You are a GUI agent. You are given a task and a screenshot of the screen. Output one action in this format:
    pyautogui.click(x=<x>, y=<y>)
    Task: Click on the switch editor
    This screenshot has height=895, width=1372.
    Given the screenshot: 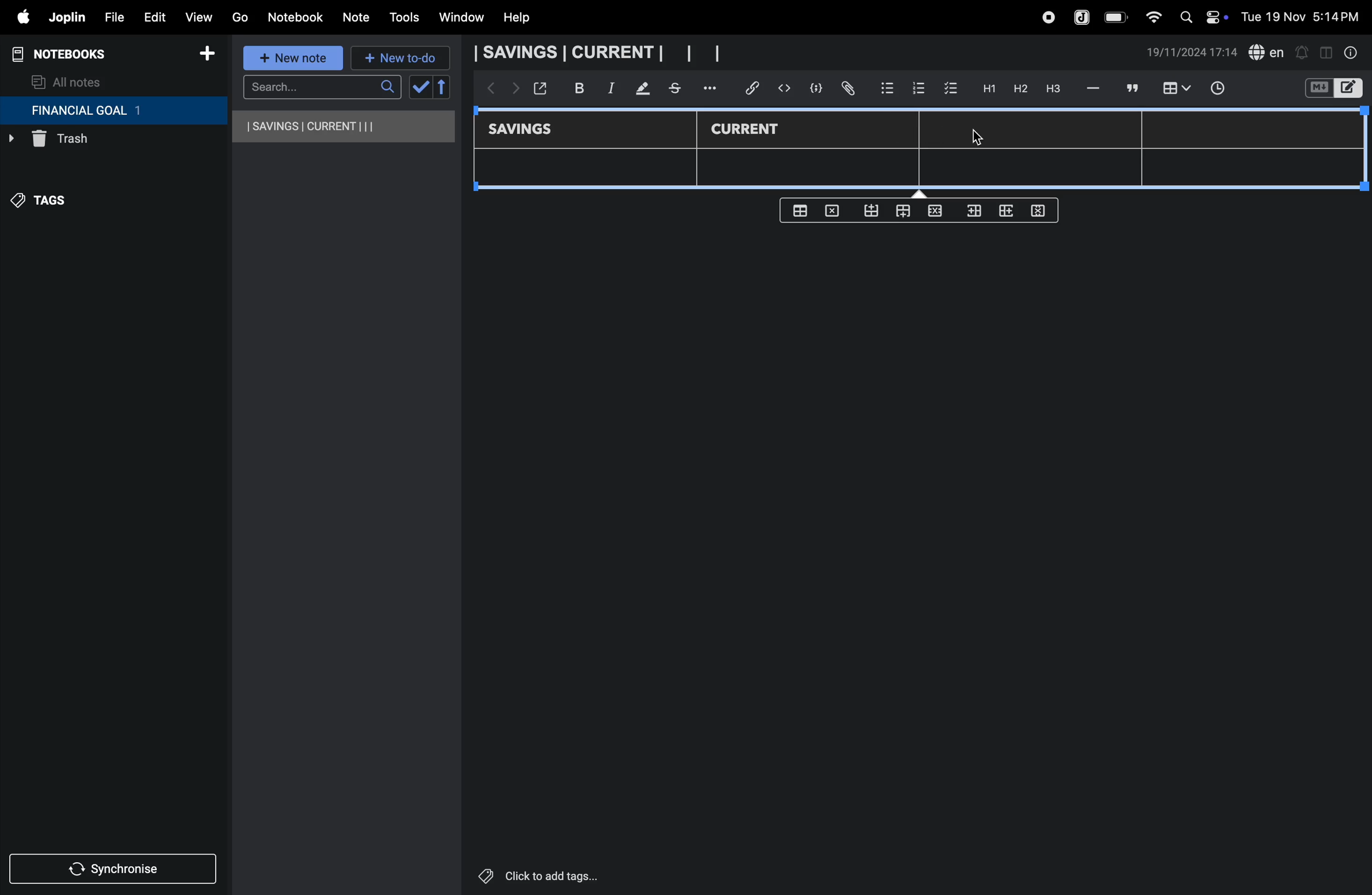 What is the action you would take?
    pyautogui.click(x=1332, y=88)
    